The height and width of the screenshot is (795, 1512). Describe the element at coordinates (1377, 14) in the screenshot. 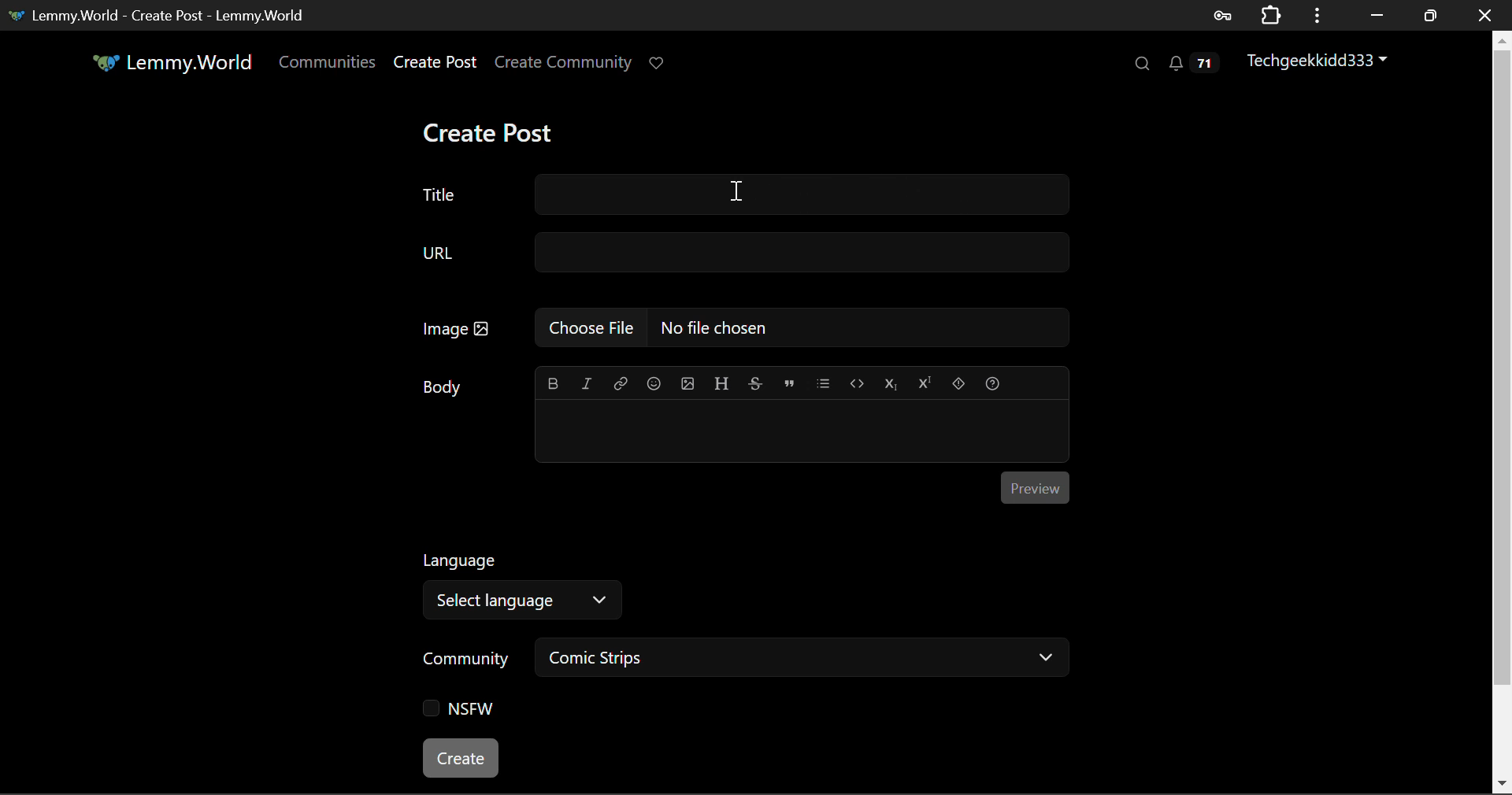

I see `Restore Down` at that location.